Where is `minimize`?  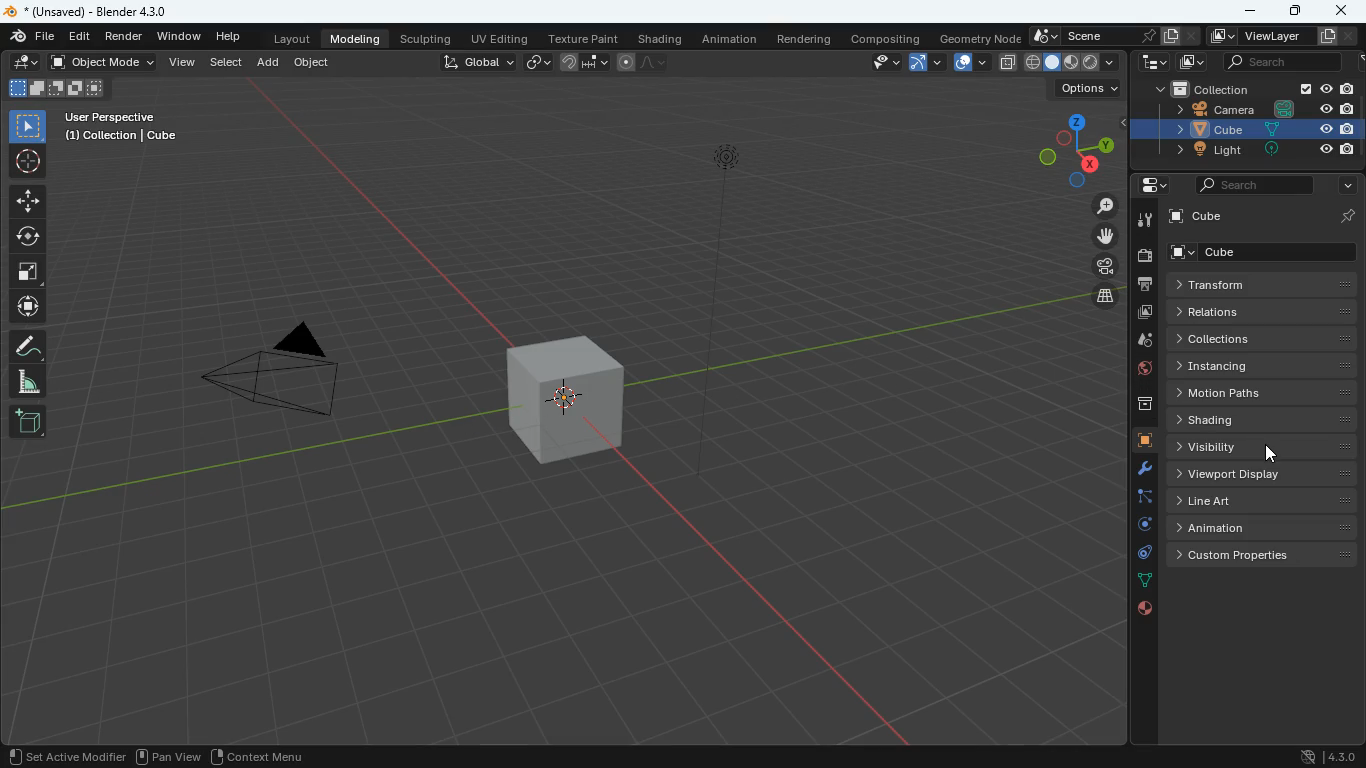 minimize is located at coordinates (1246, 12).